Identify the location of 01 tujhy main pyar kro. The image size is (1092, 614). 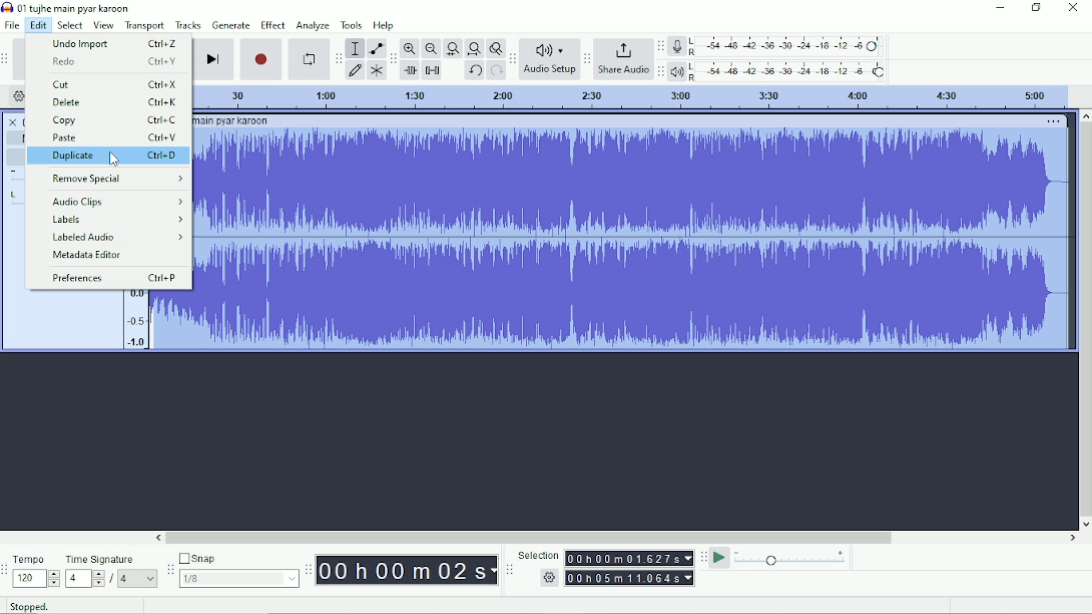
(233, 121).